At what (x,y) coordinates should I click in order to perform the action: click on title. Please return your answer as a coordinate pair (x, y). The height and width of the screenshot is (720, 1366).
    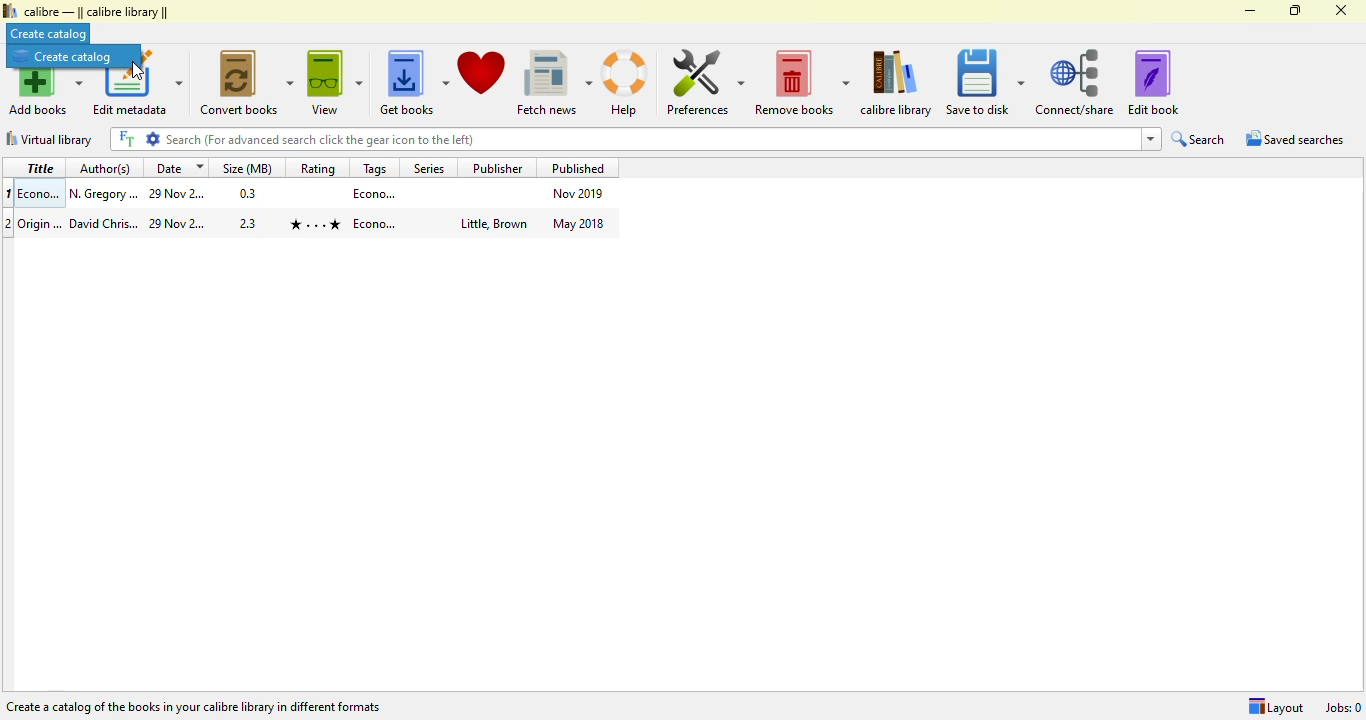
    Looking at the image, I should click on (40, 168).